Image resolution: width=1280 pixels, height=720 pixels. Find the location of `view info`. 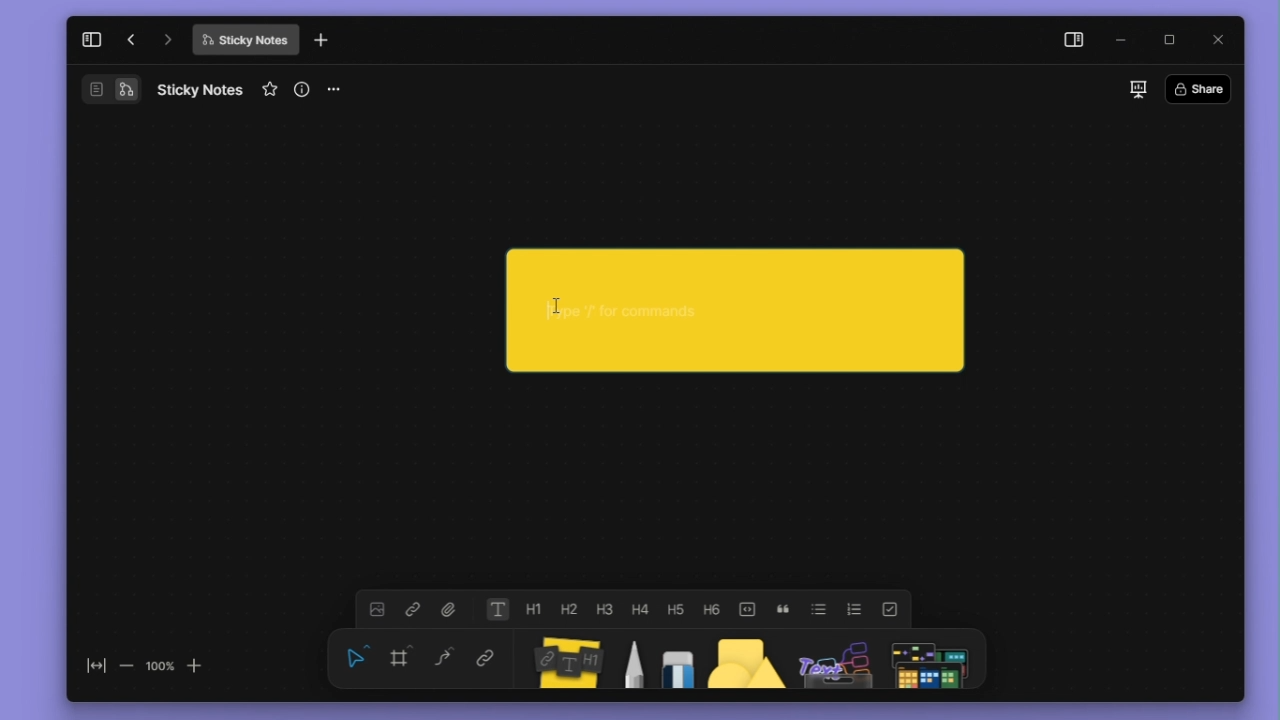

view info is located at coordinates (301, 89).